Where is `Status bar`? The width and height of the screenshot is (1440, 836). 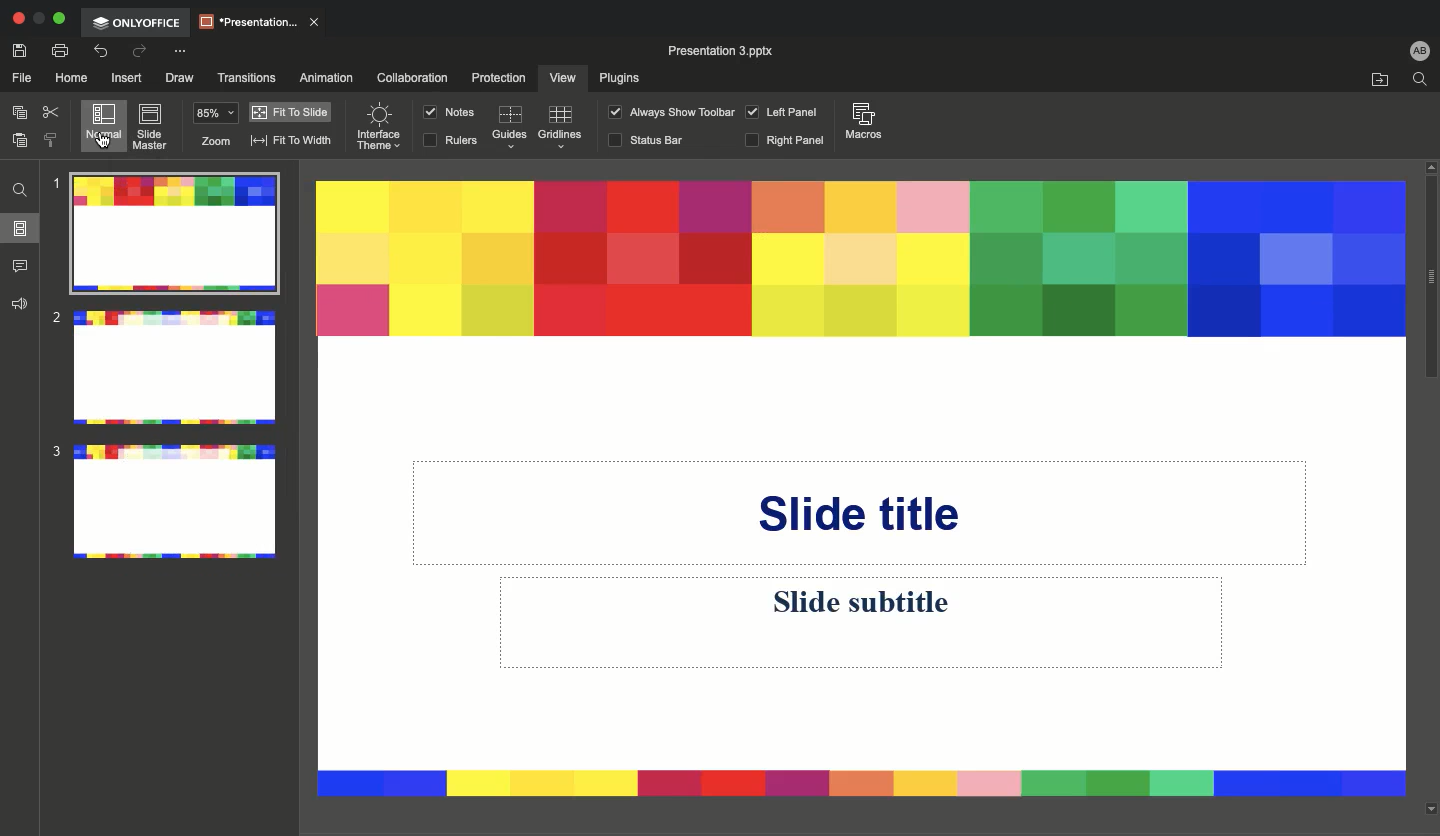 Status bar is located at coordinates (649, 141).